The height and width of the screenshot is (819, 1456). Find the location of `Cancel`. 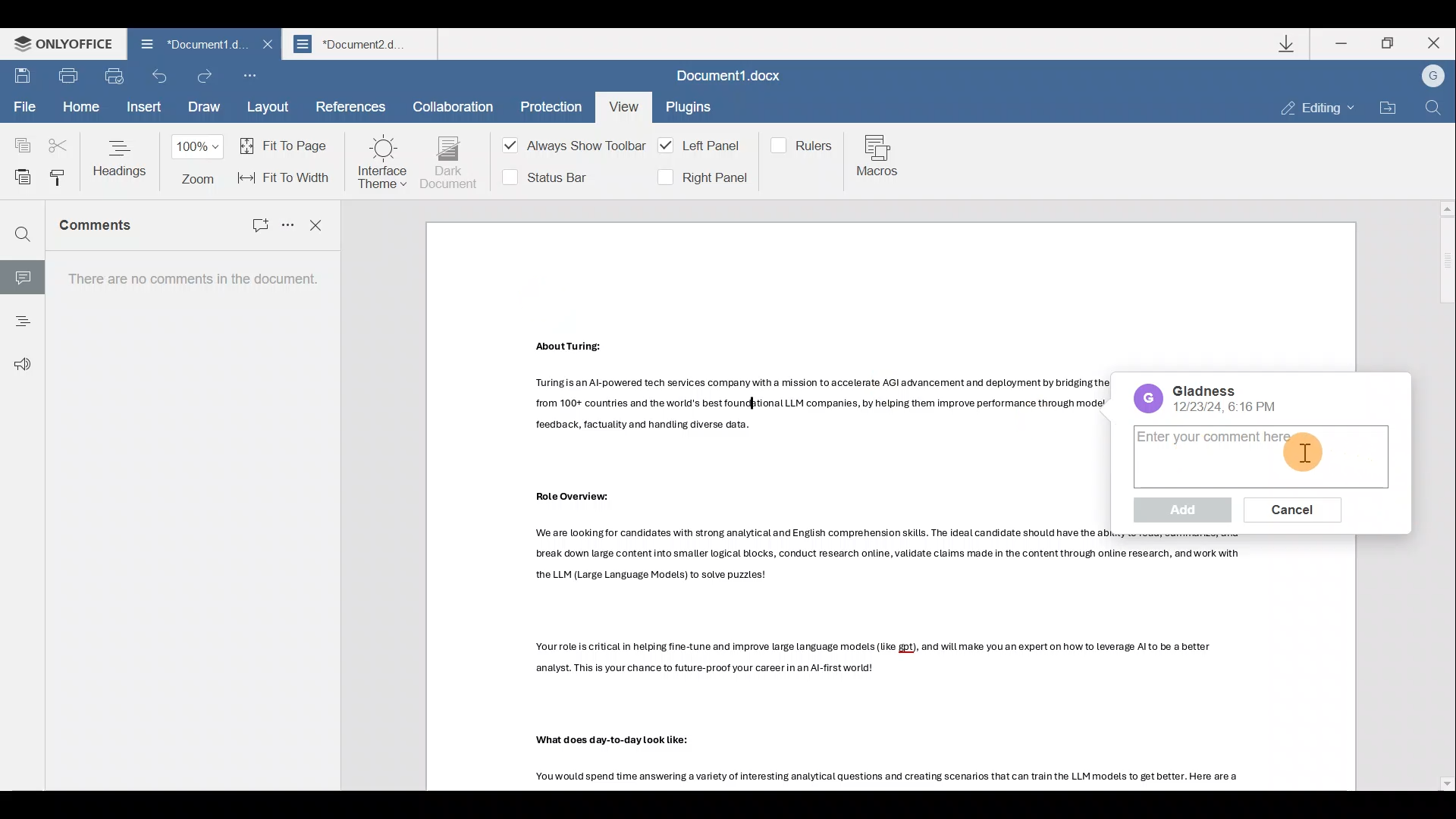

Cancel is located at coordinates (1284, 507).